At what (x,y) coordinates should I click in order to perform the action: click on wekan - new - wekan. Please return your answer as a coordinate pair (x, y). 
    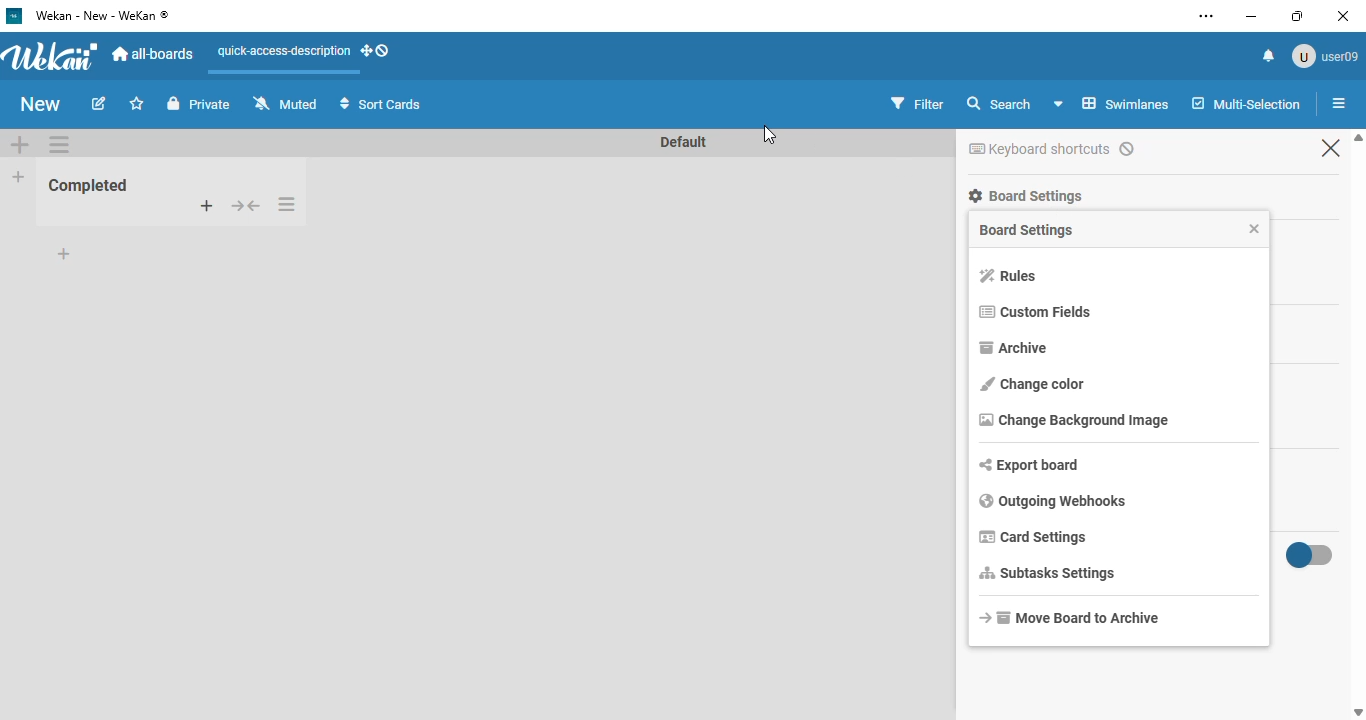
    Looking at the image, I should click on (102, 16).